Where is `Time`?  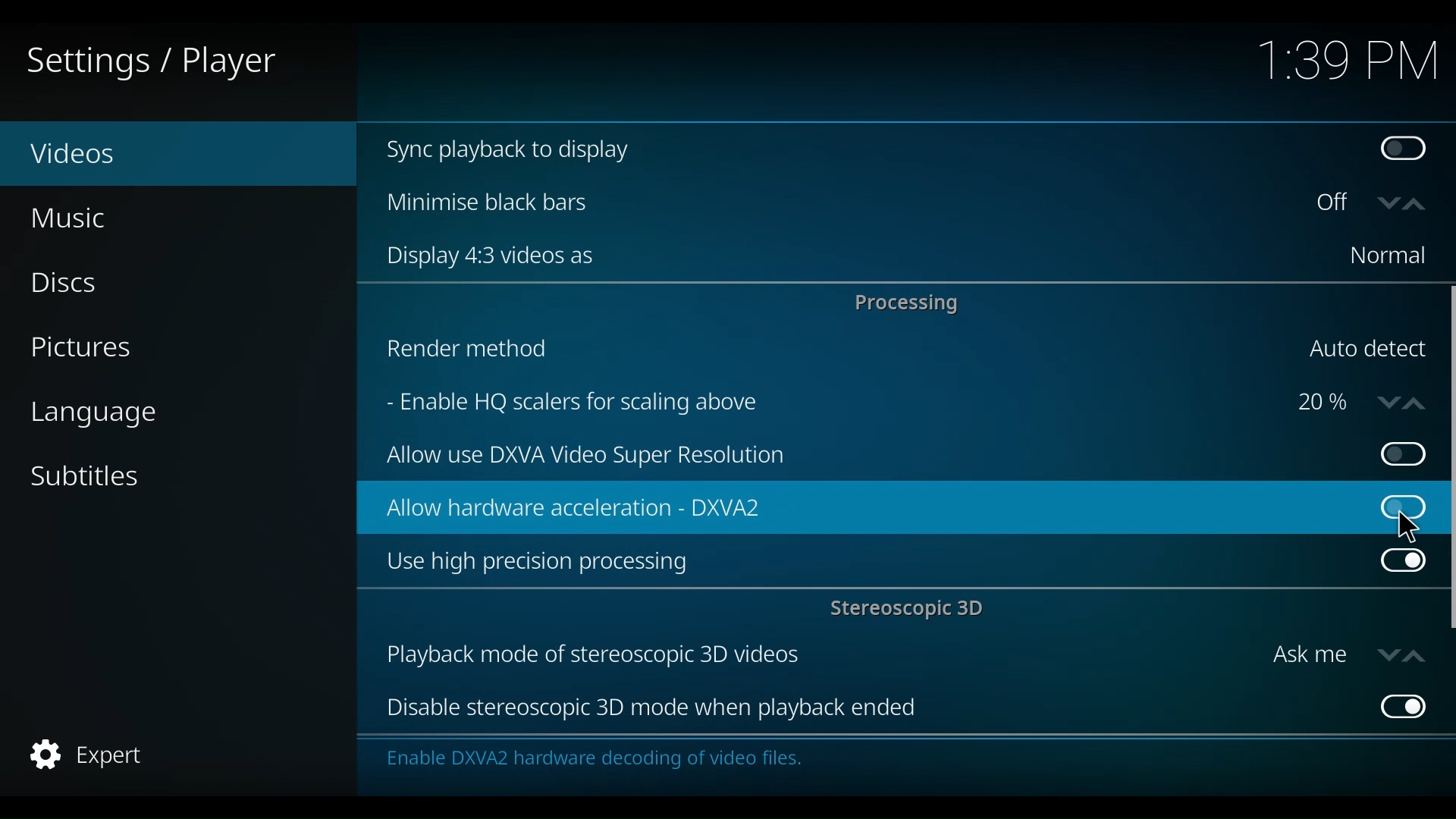 Time is located at coordinates (1348, 63).